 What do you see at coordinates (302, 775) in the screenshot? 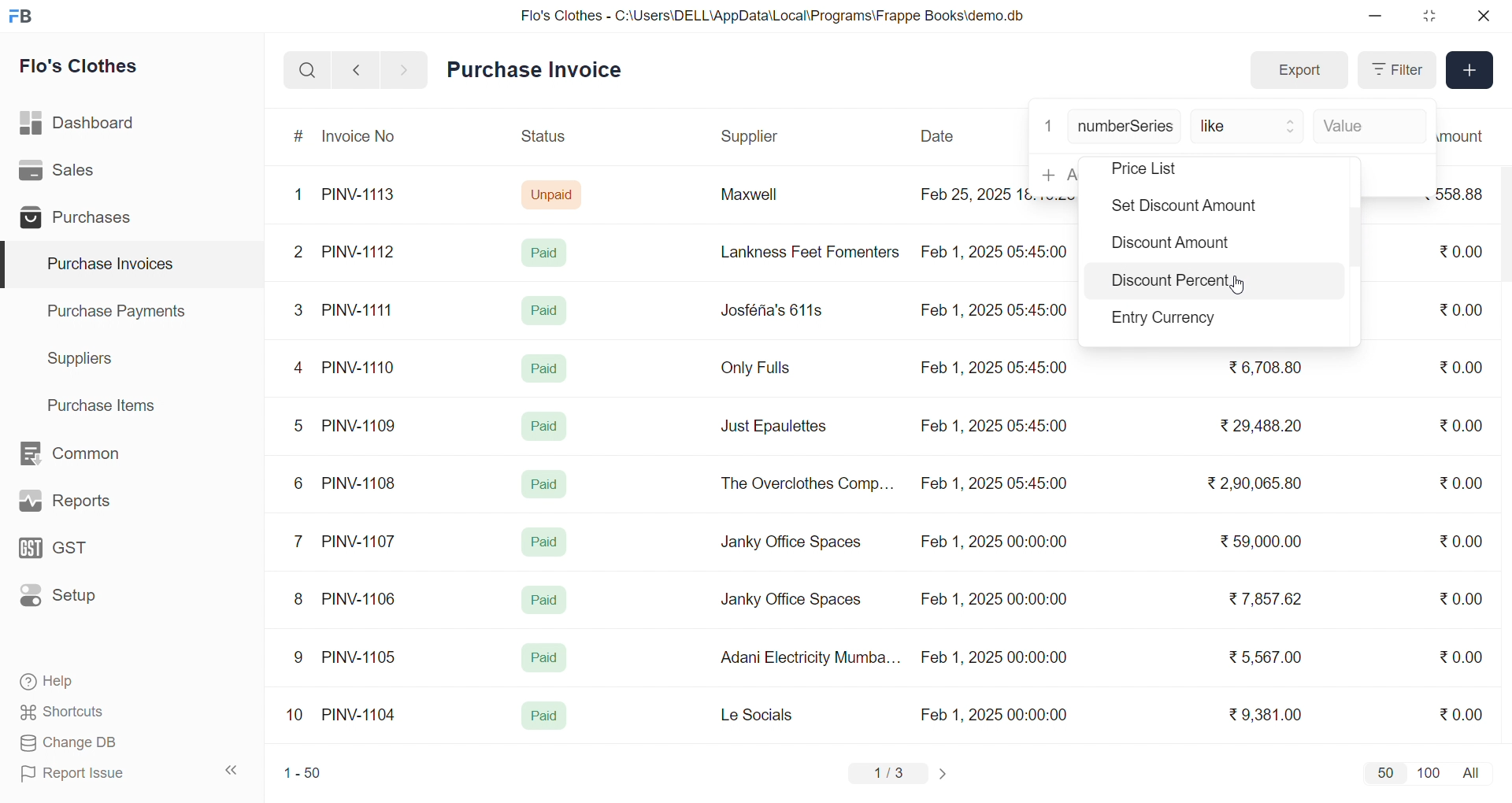
I see `1-50` at bounding box center [302, 775].